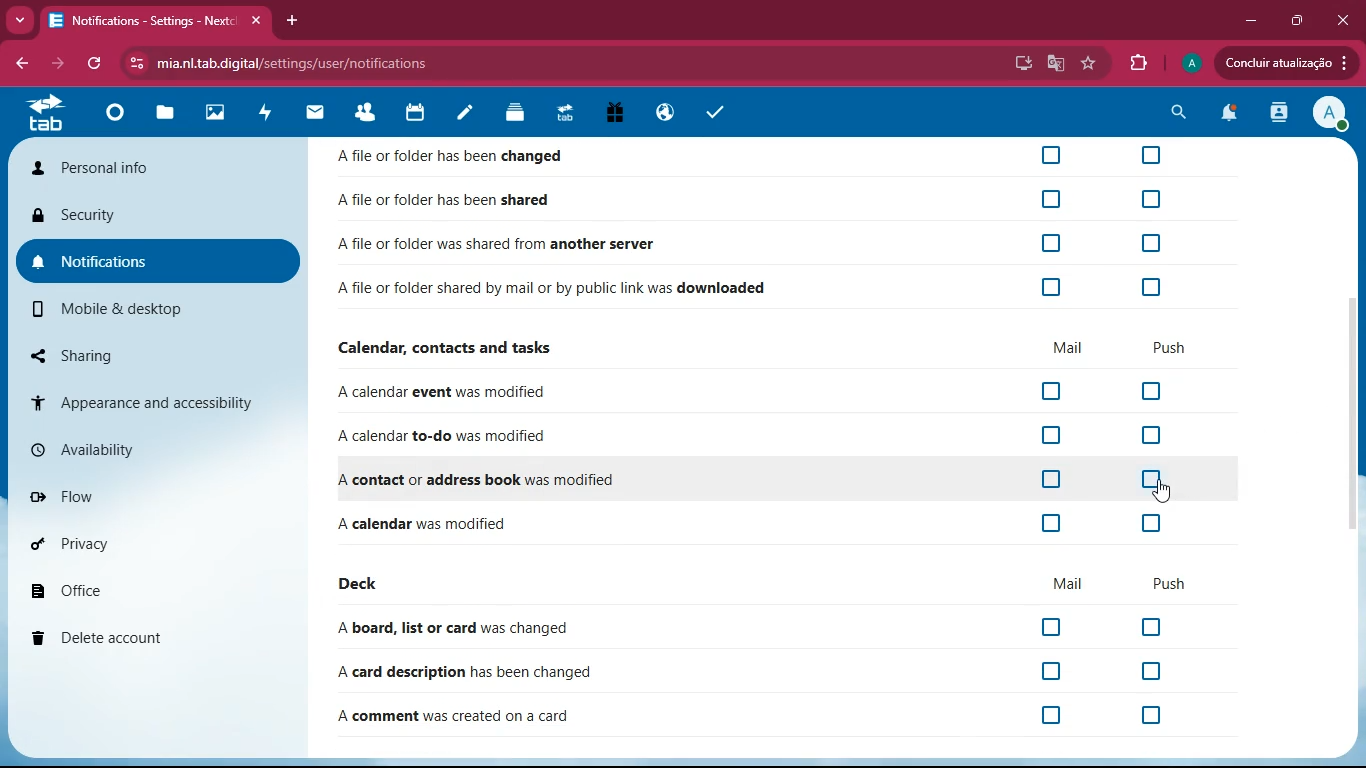 The width and height of the screenshot is (1366, 768). Describe the element at coordinates (567, 114) in the screenshot. I see `tab` at that location.